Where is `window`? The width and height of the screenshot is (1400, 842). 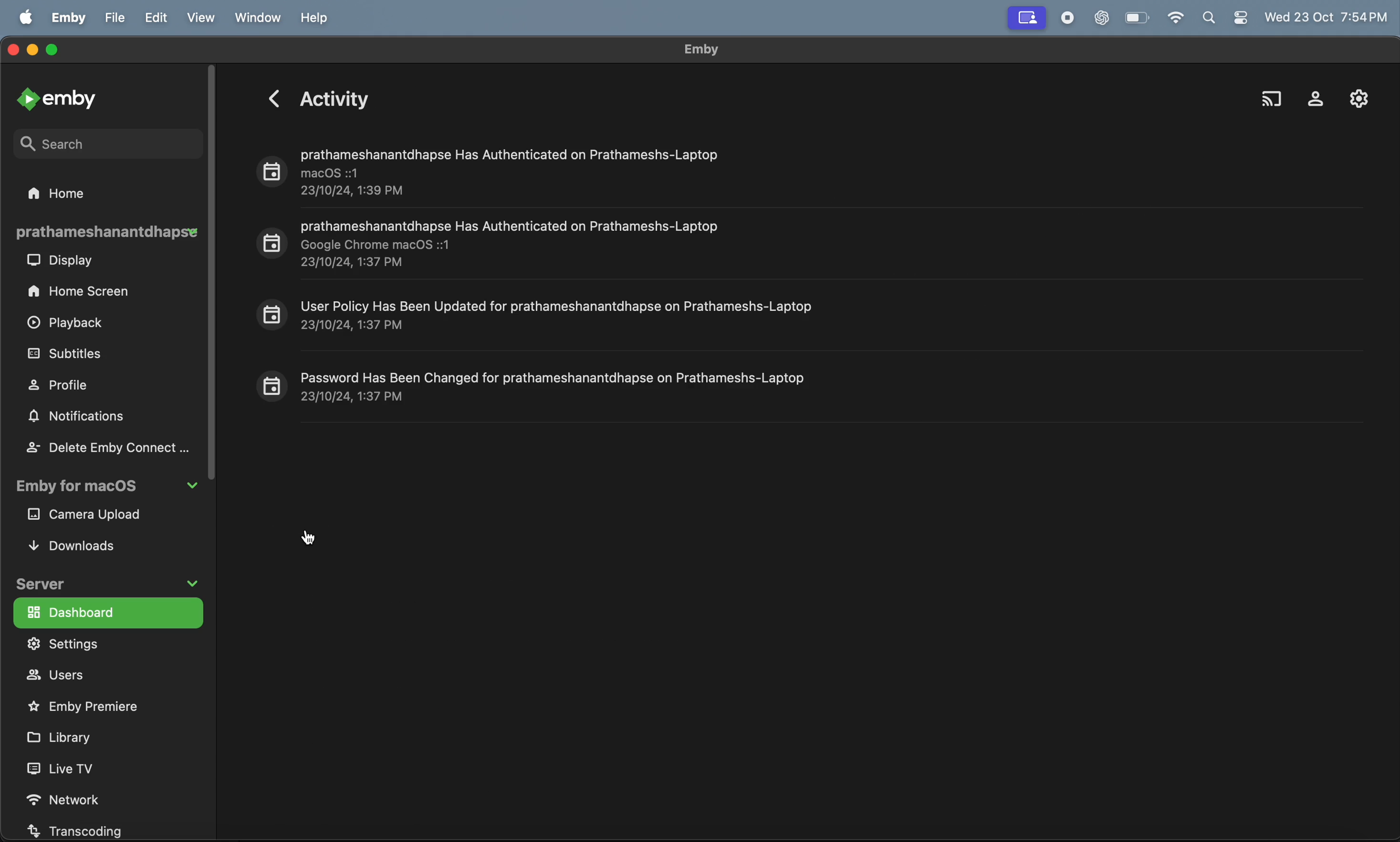
window is located at coordinates (258, 18).